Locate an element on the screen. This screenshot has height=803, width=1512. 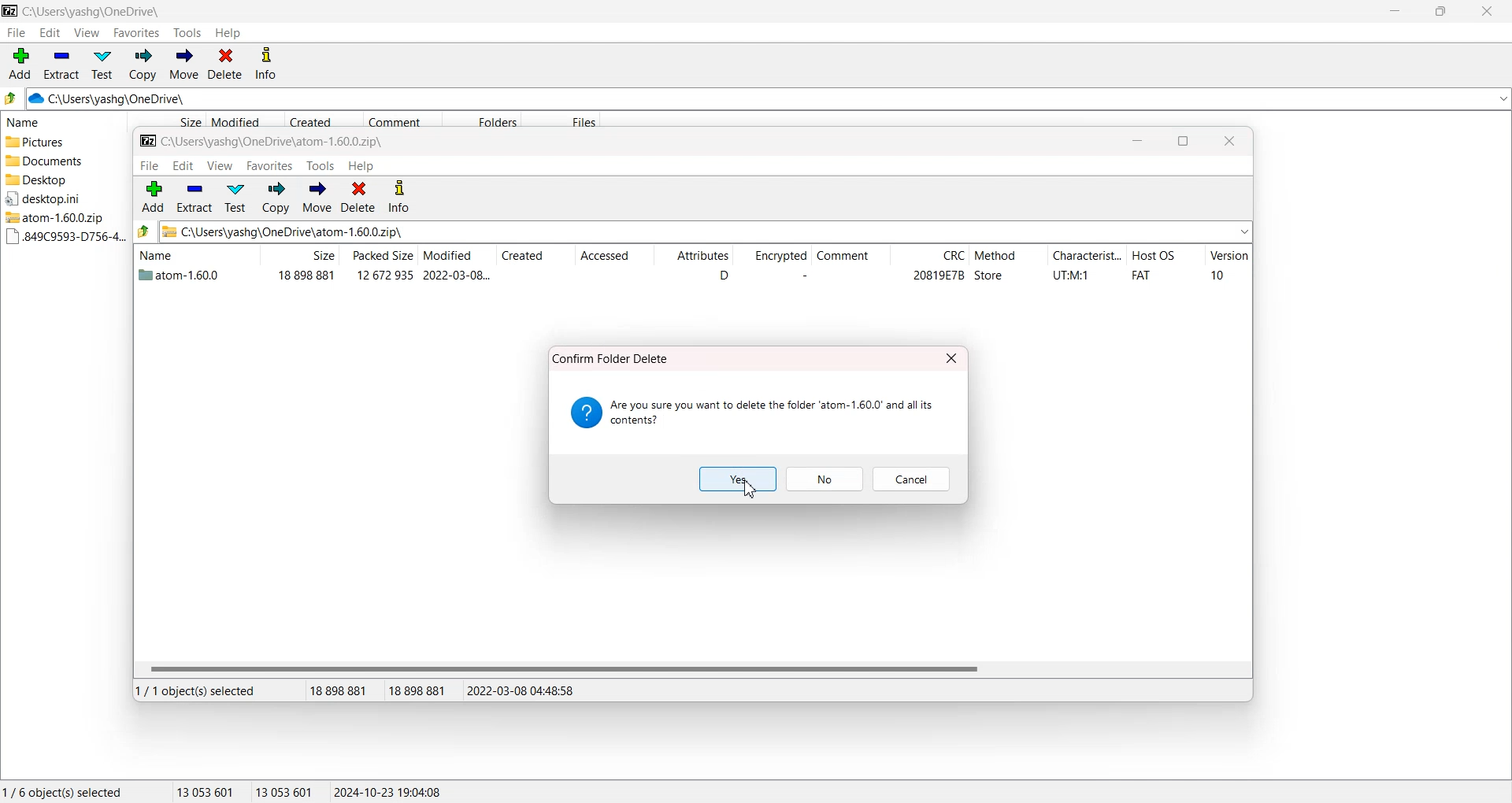
Pictures file is located at coordinates (61, 142).